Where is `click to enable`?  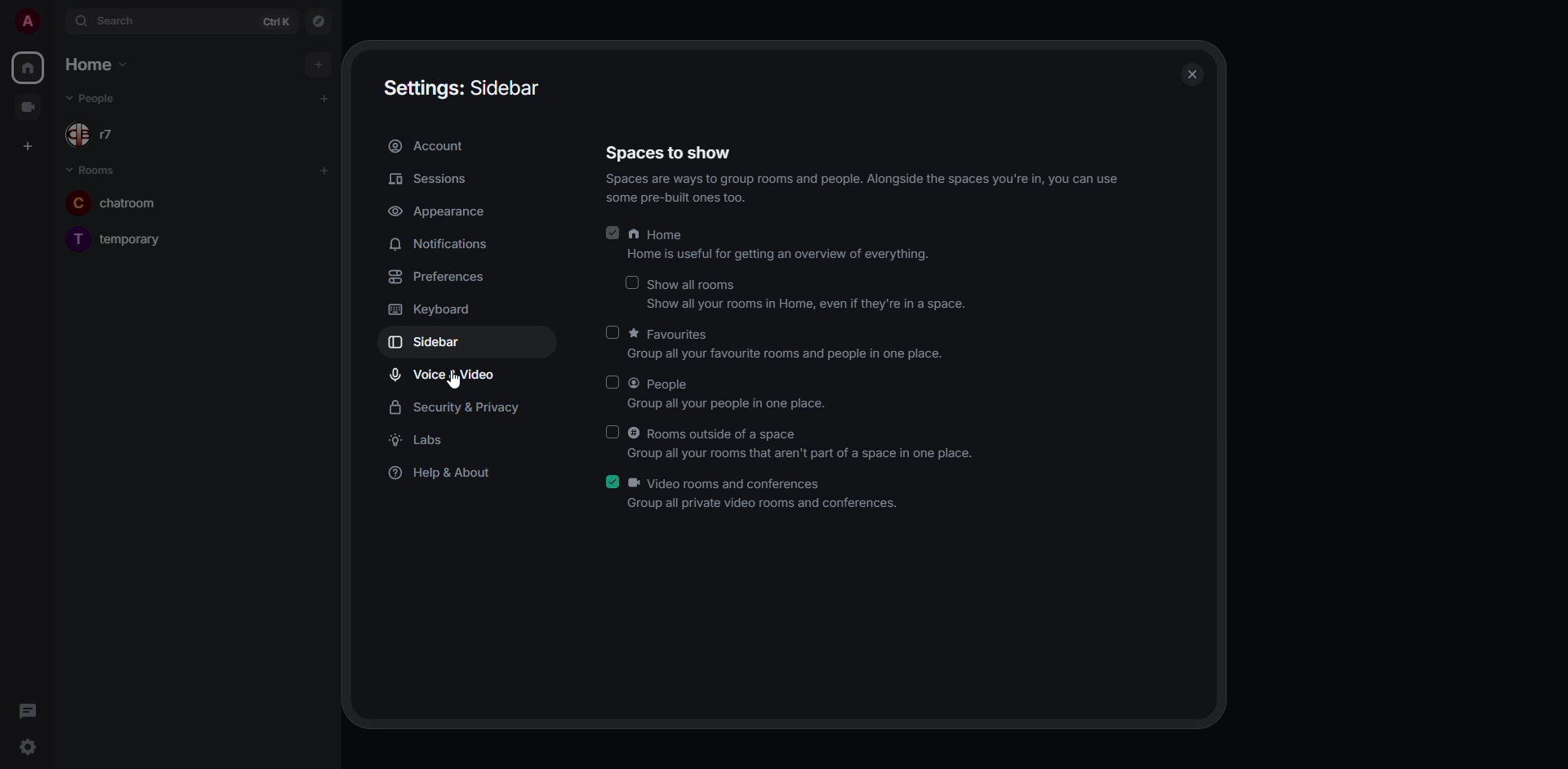 click to enable is located at coordinates (612, 382).